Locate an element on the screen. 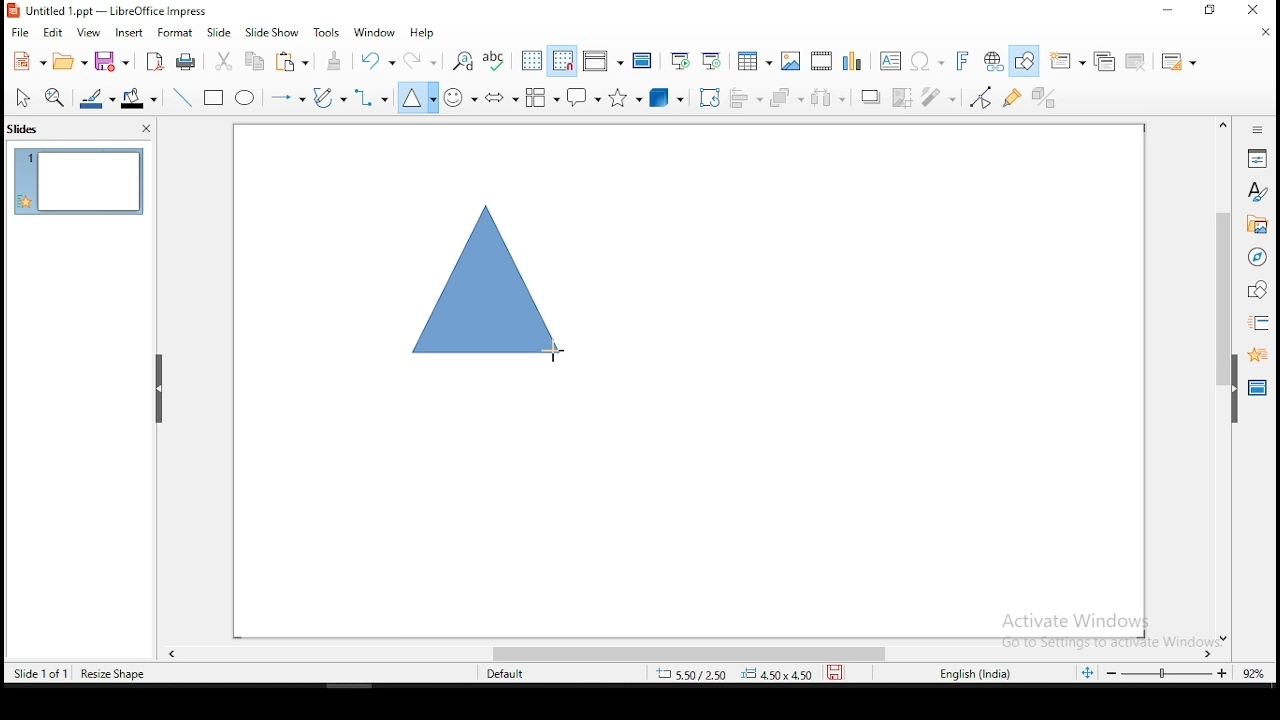 The width and height of the screenshot is (1280, 720). toggle point edit mode is located at coordinates (982, 97).